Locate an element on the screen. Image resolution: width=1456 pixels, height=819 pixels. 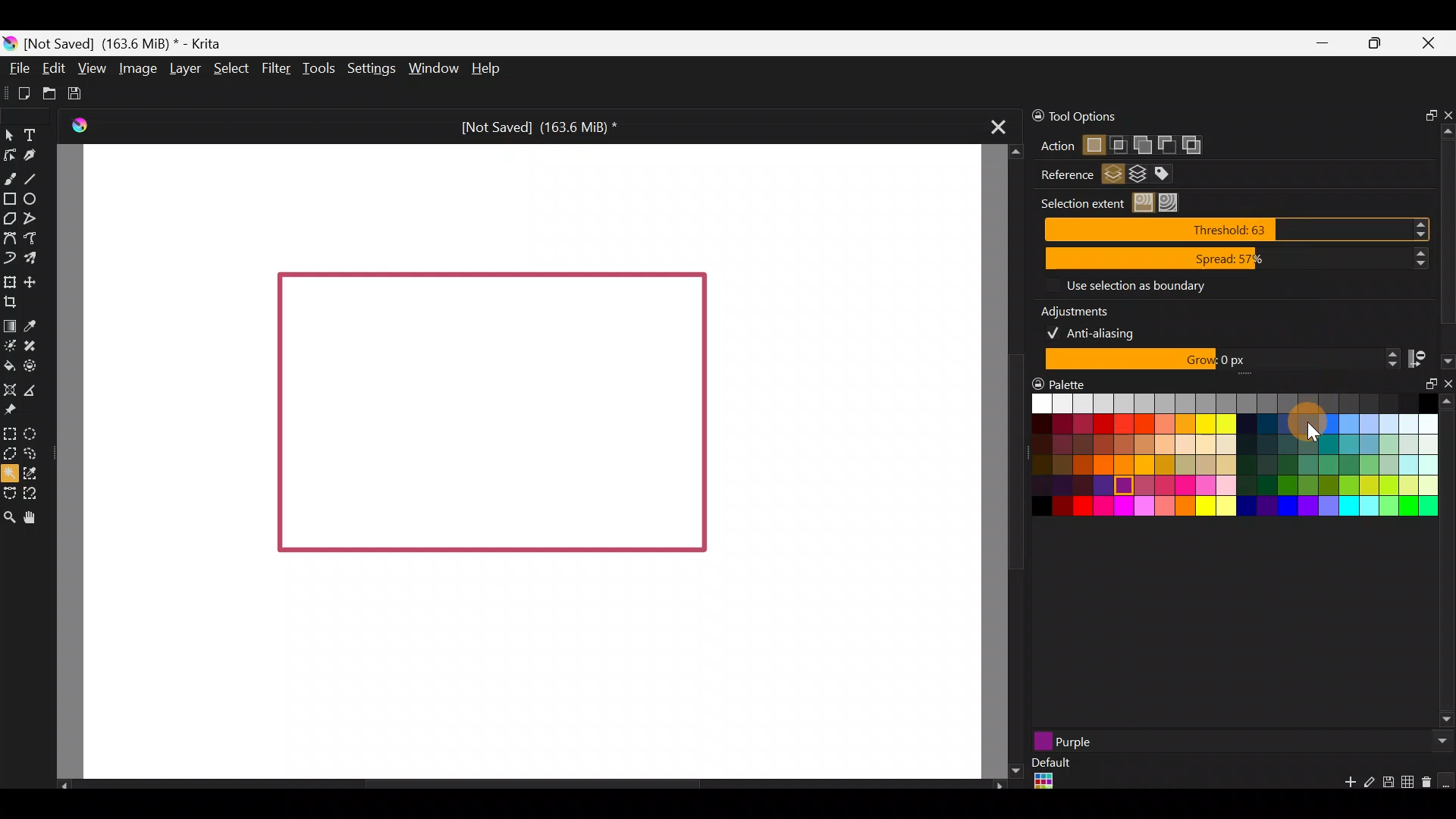
Similar colour selection tool is located at coordinates (42, 472).